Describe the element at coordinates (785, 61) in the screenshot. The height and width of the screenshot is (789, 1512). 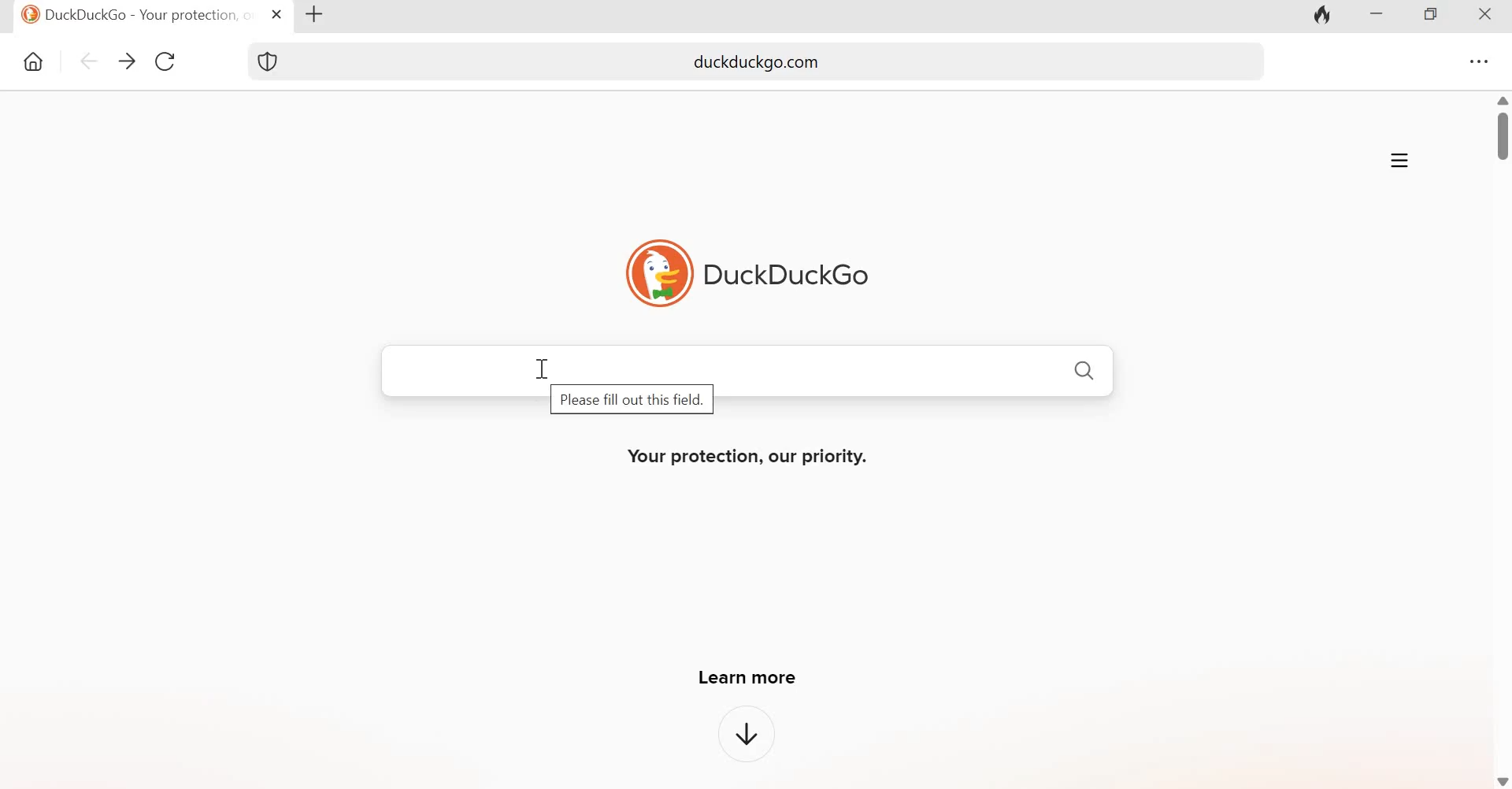
I see `duckduckgo.com` at that location.